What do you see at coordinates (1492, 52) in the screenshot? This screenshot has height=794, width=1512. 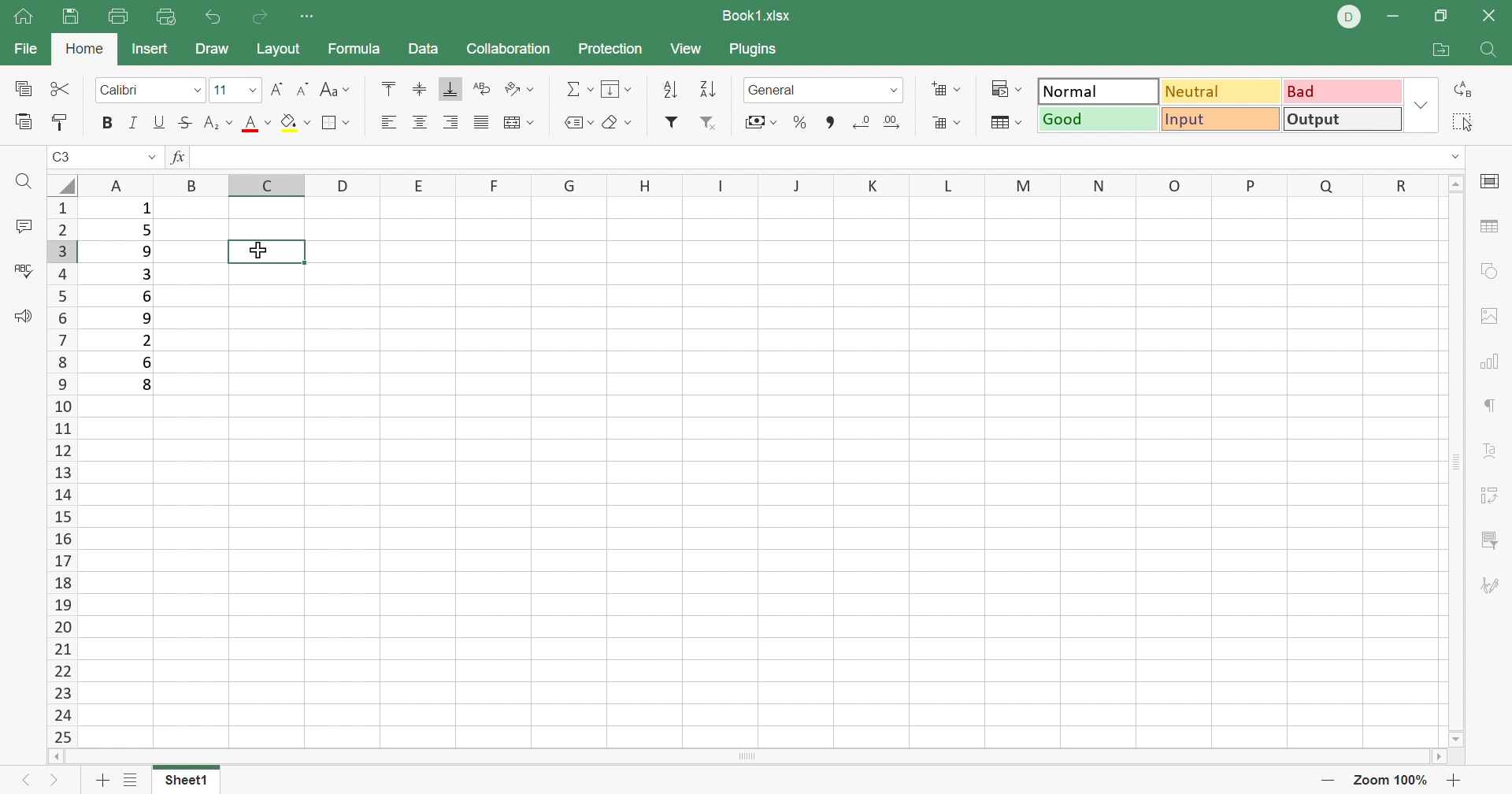 I see `Find` at bounding box center [1492, 52].